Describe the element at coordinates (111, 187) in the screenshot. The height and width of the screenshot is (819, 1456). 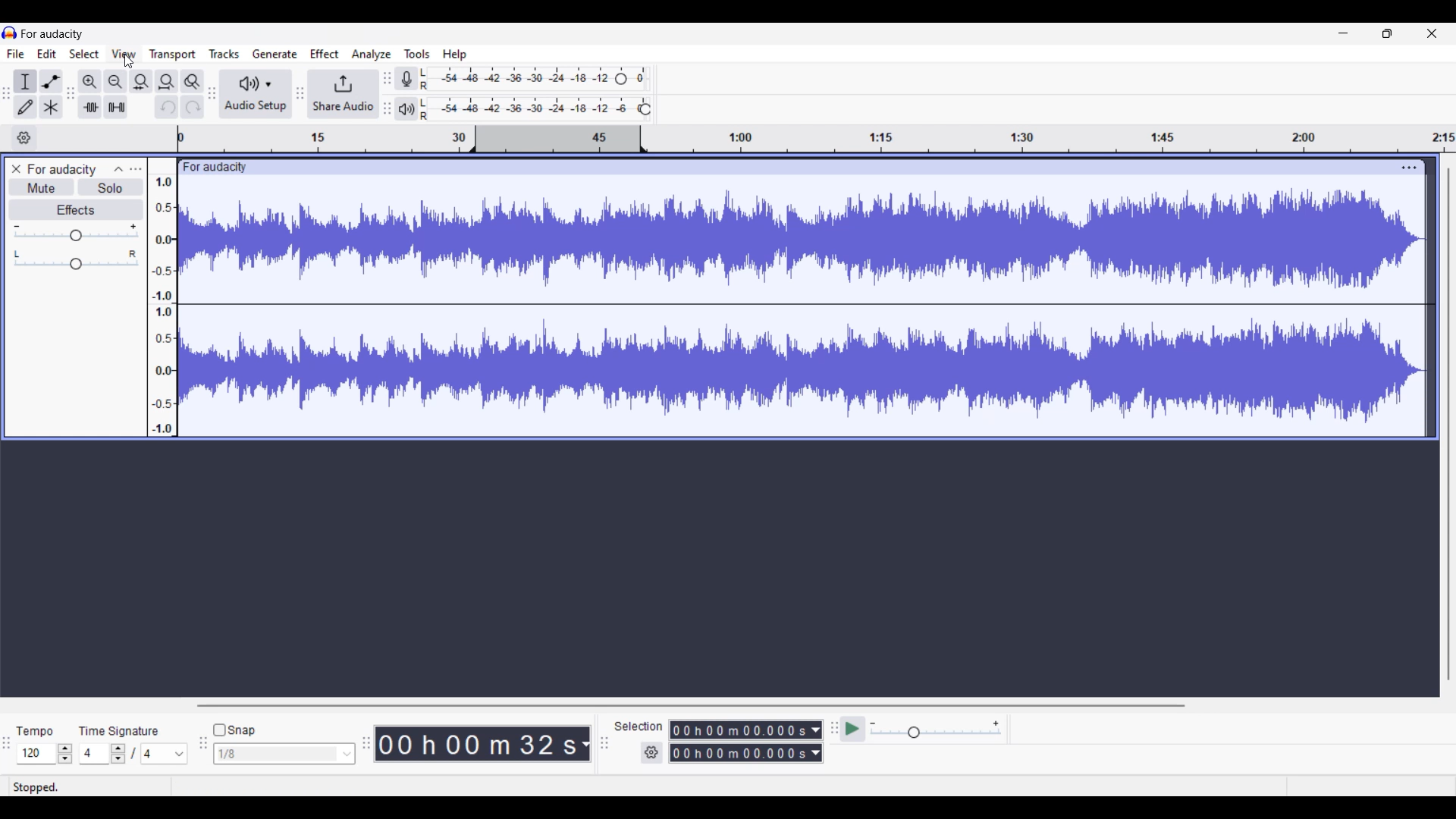
I see `Solo` at that location.